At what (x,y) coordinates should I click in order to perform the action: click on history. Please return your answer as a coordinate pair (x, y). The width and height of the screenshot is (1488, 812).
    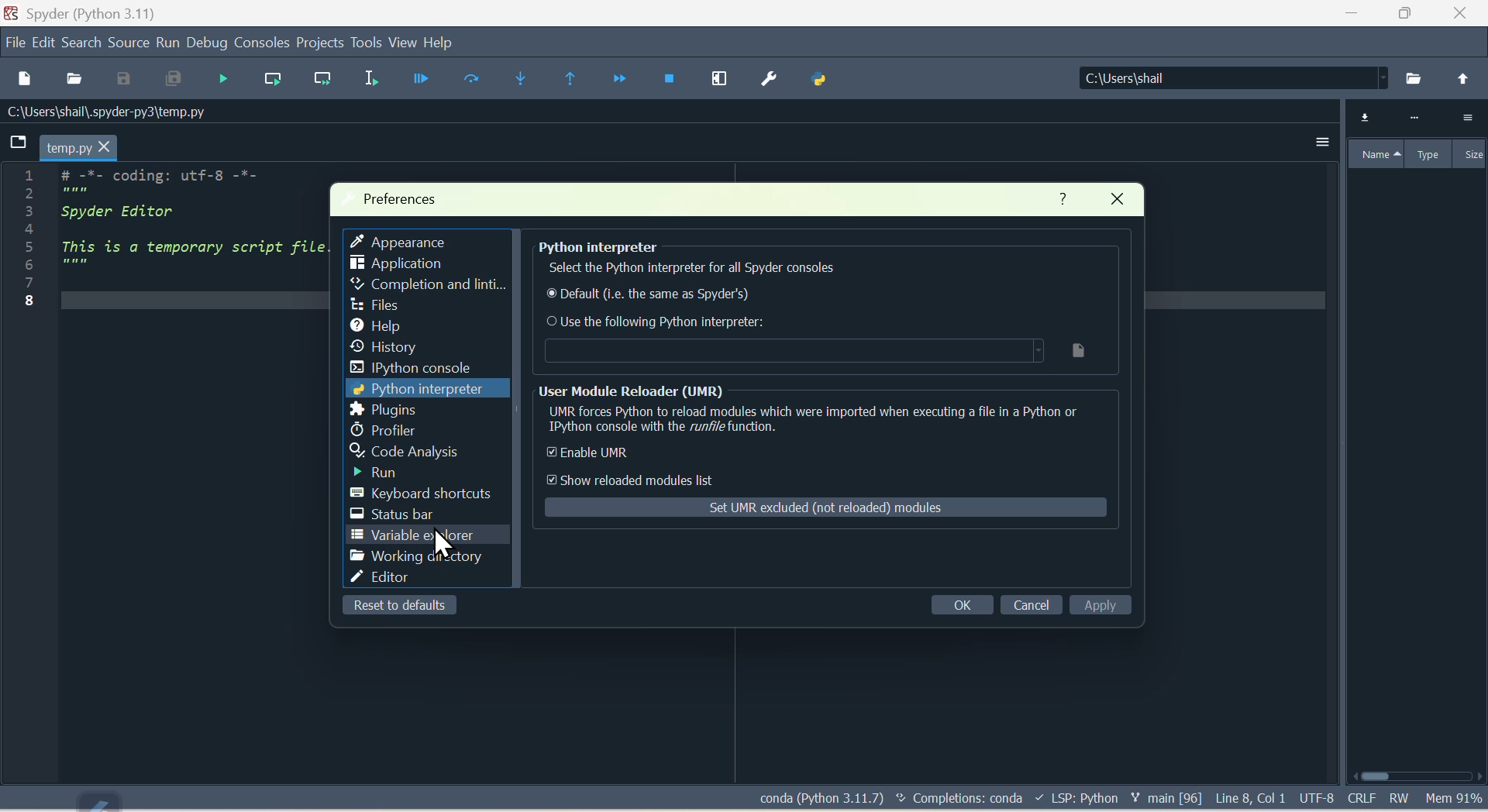
    Looking at the image, I should click on (381, 347).